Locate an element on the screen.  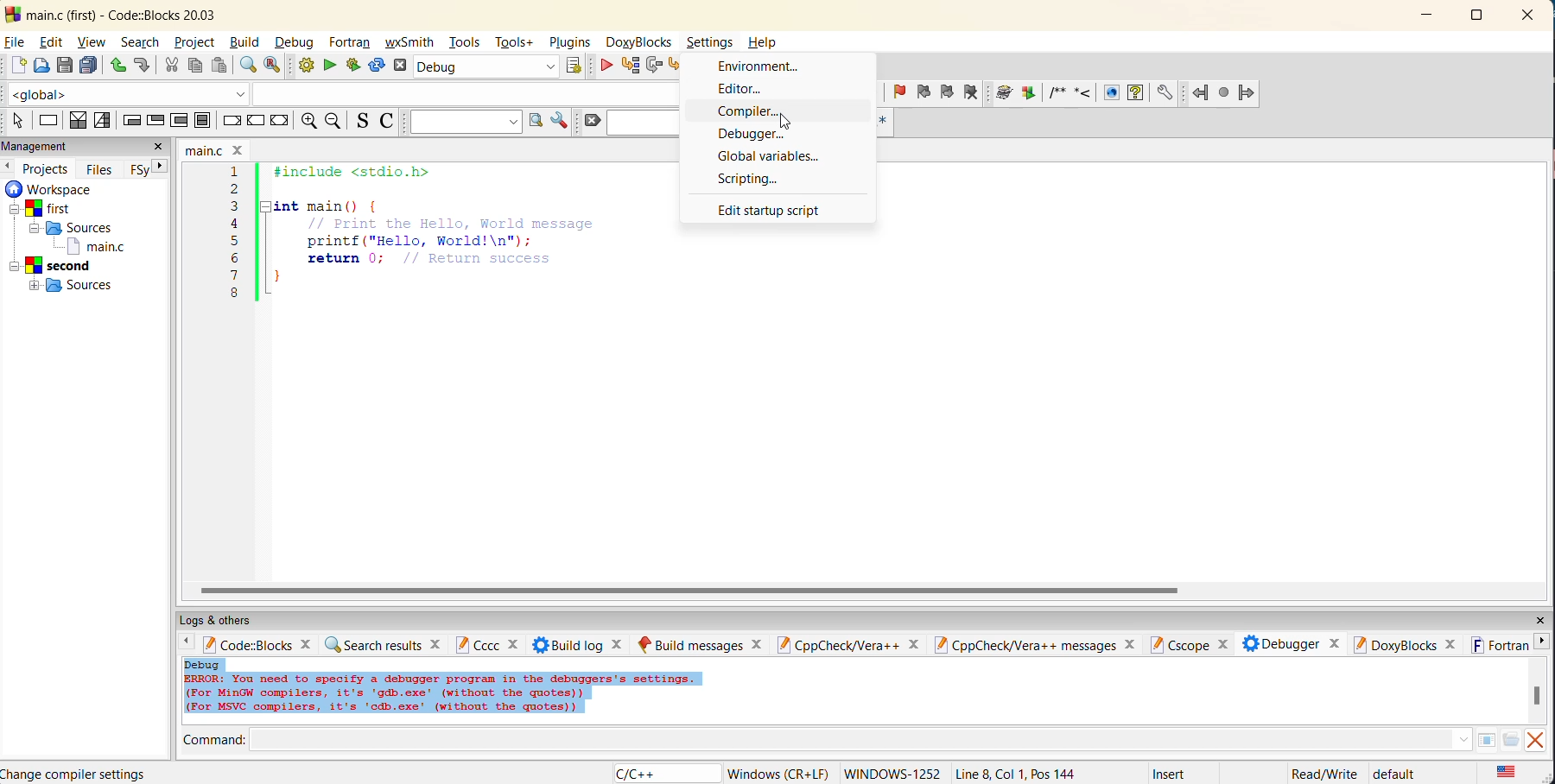
build is located at coordinates (246, 44).